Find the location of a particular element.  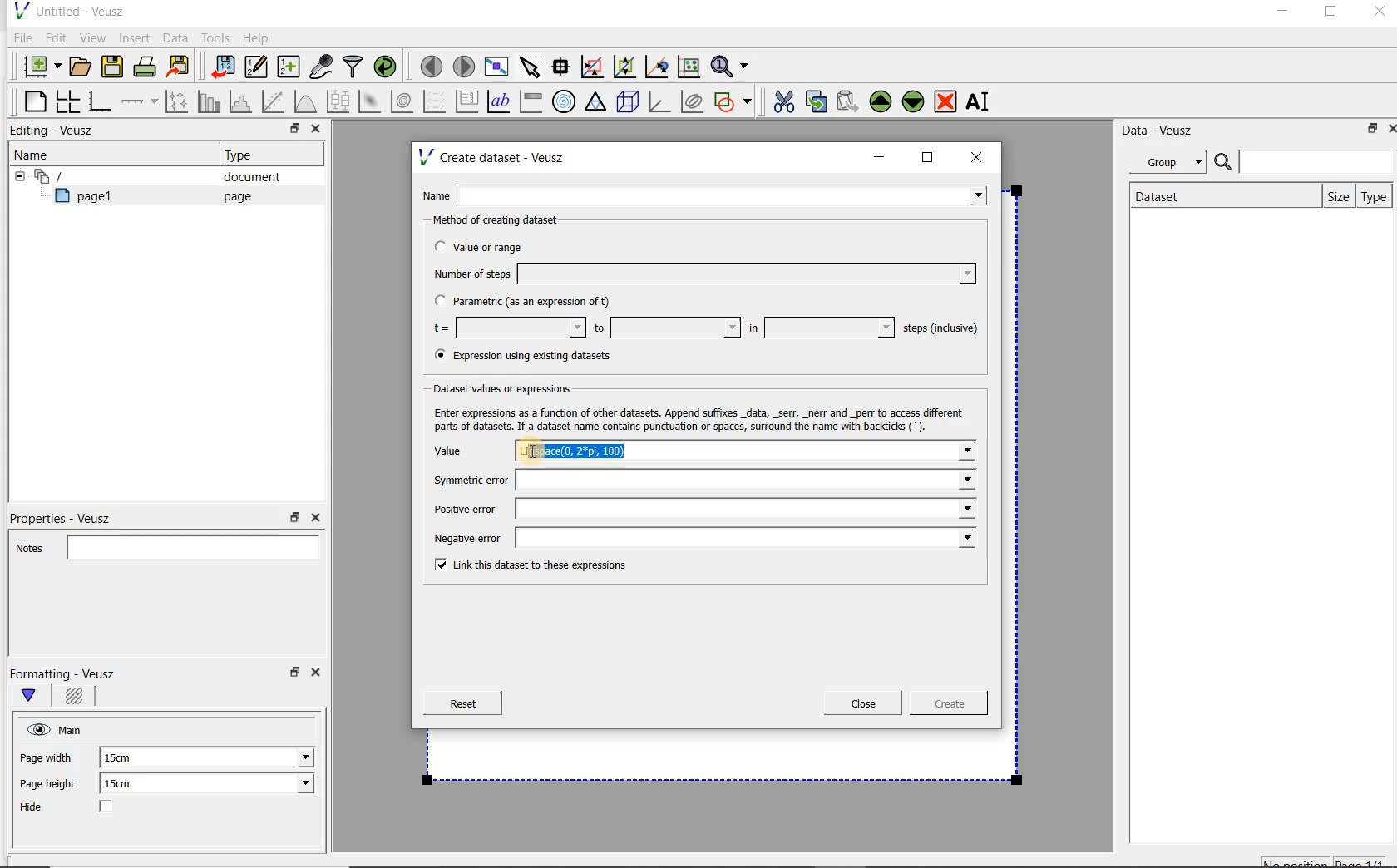

close is located at coordinates (982, 156).